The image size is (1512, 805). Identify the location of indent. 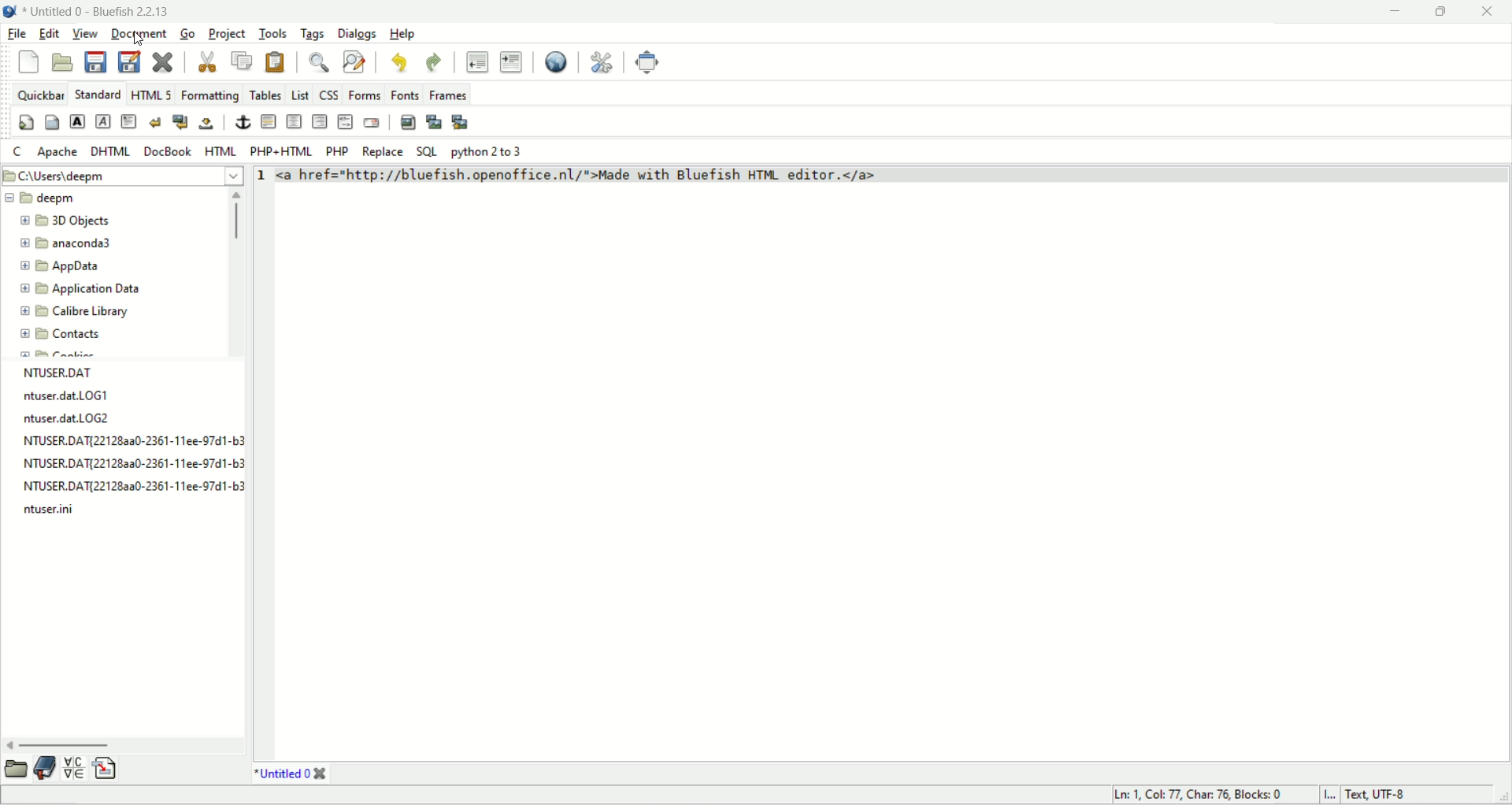
(512, 61).